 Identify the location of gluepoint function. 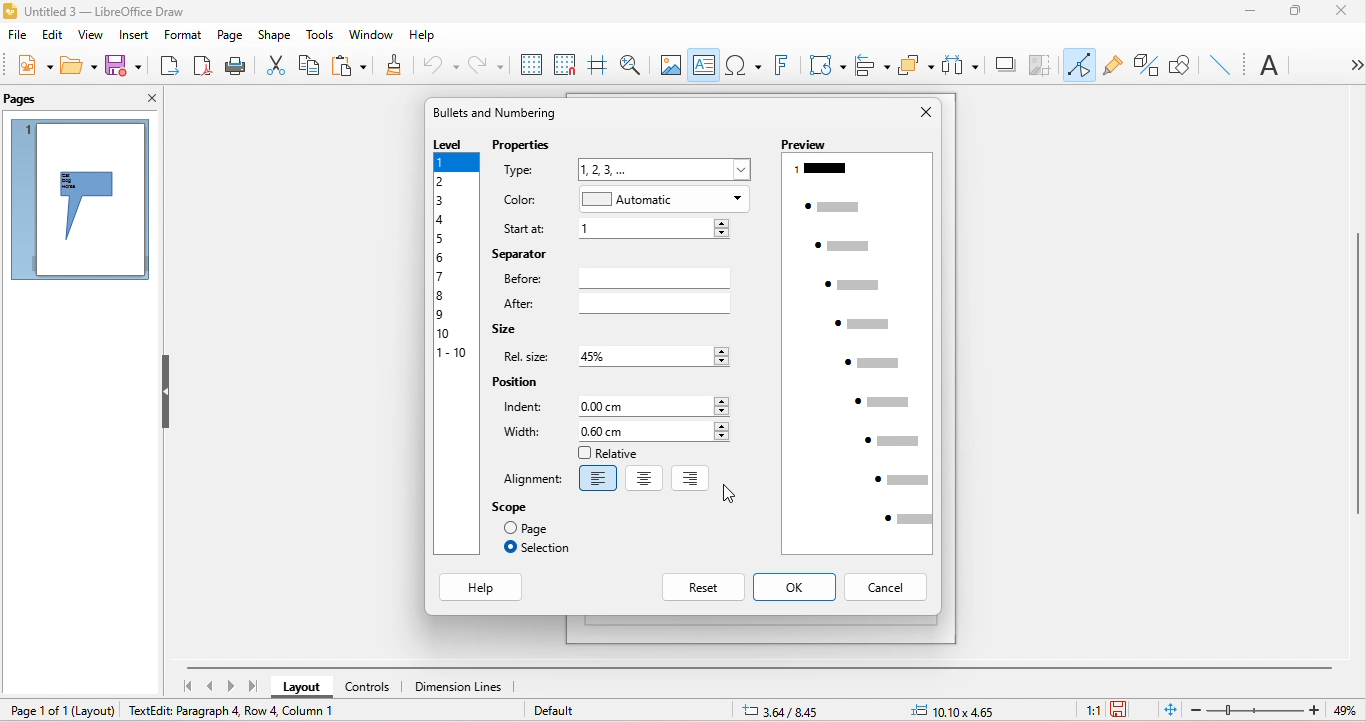
(1112, 68).